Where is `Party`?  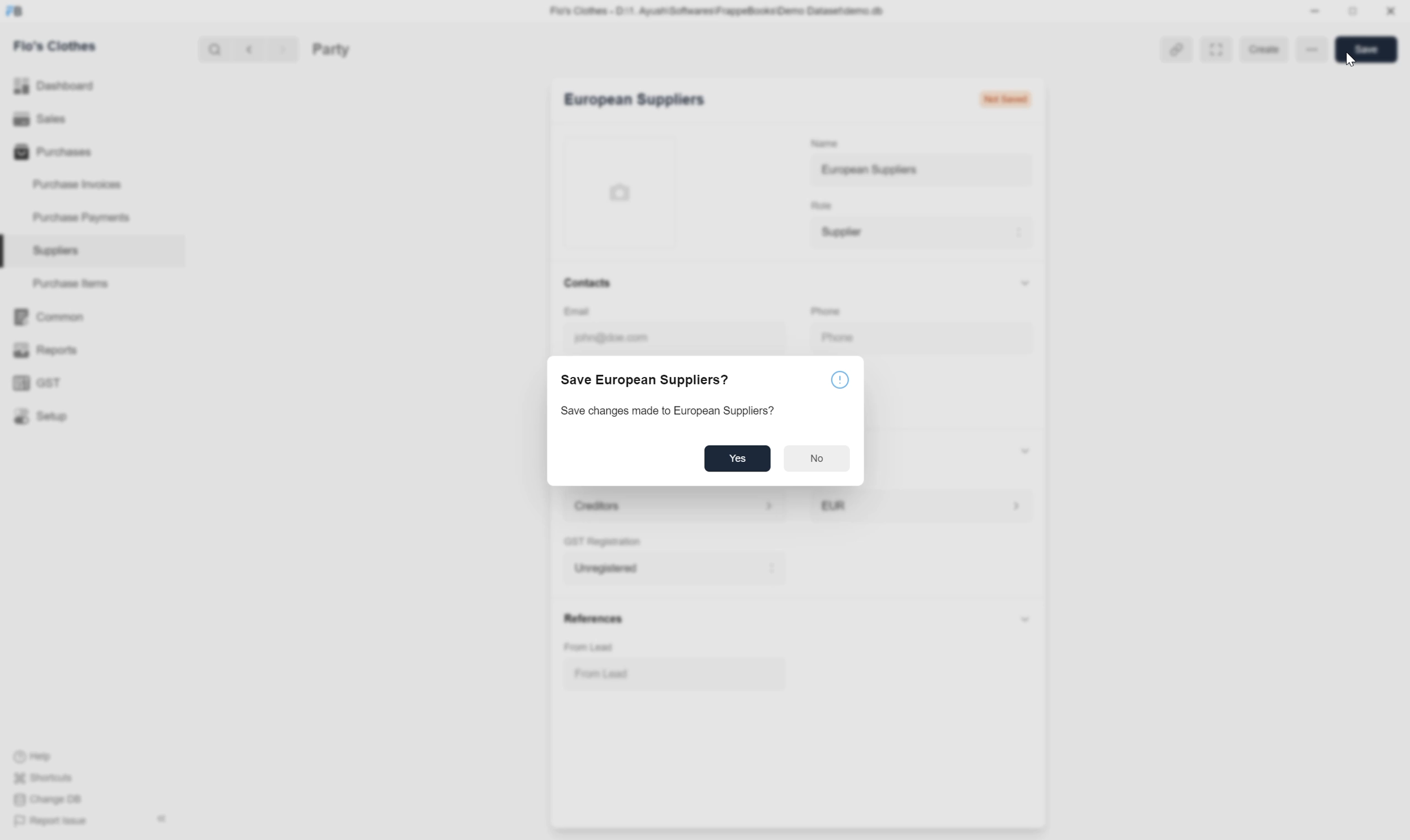 Party is located at coordinates (350, 48).